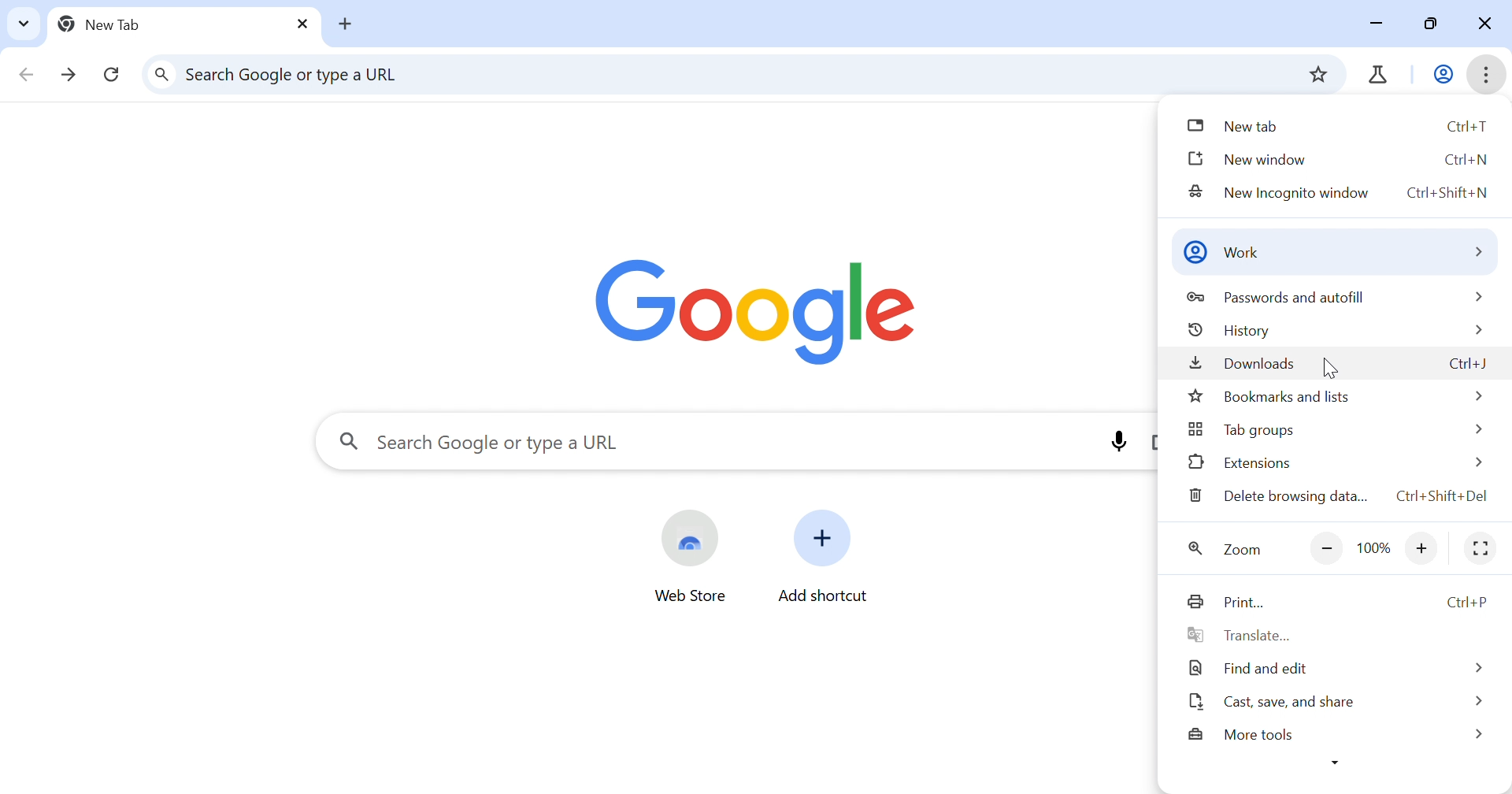  I want to click on Add shortcut, so click(826, 596).